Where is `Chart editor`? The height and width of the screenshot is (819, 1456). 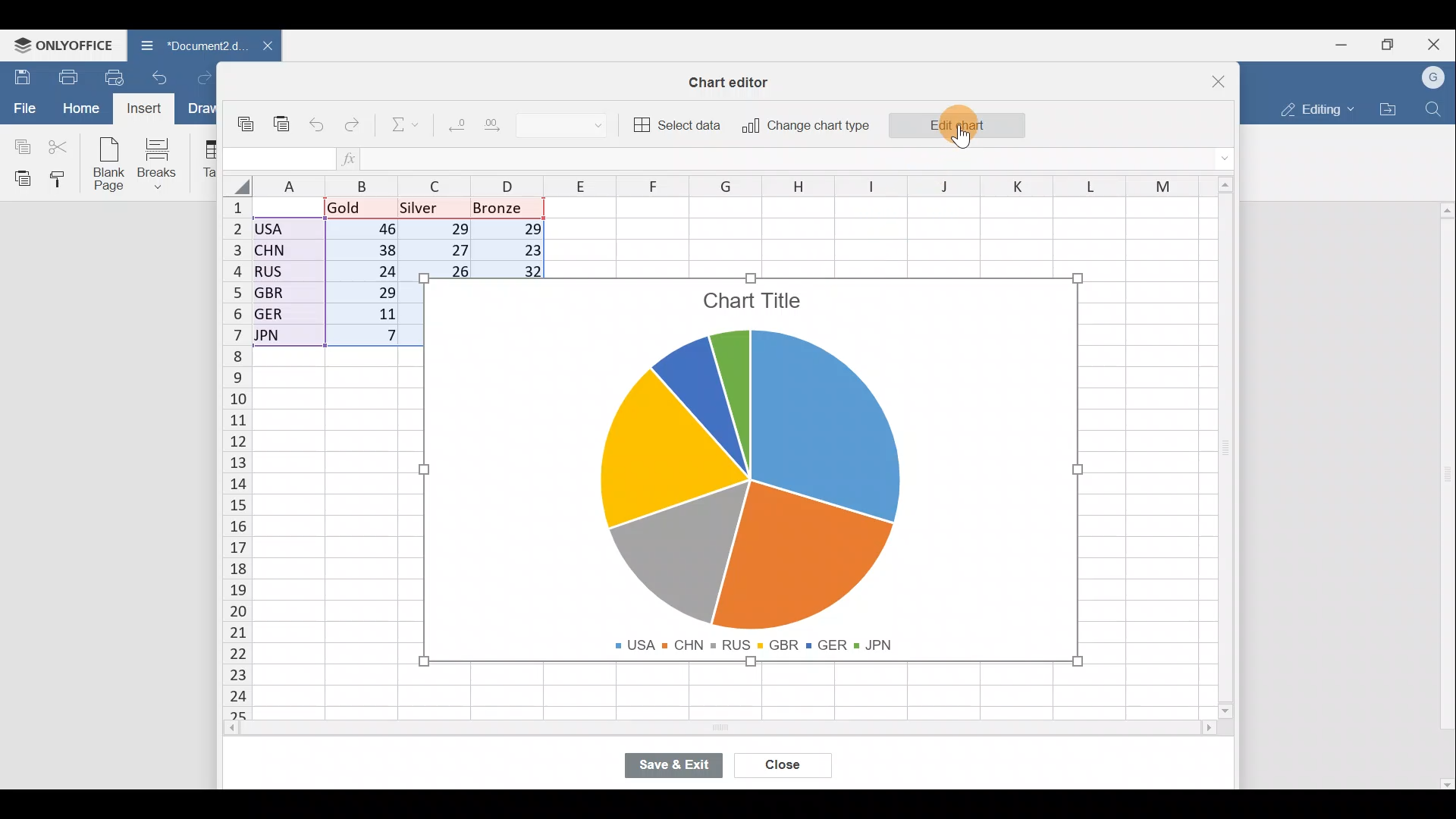
Chart editor is located at coordinates (736, 82).